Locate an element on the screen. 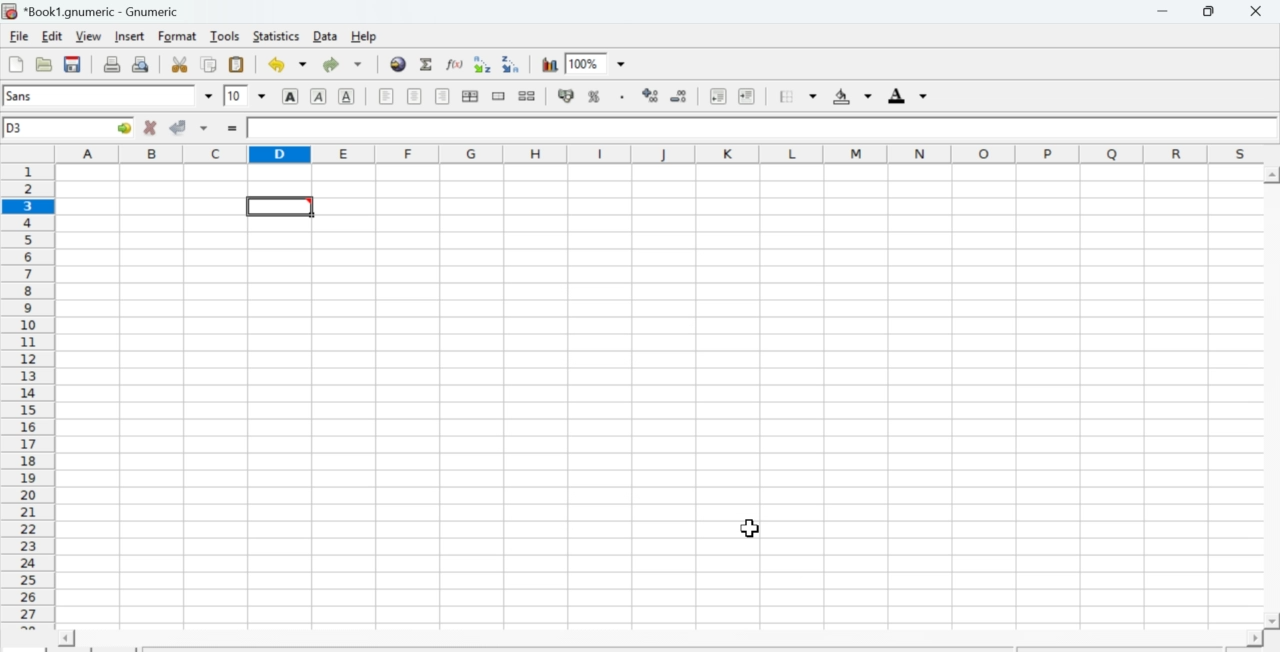  Format selection as percentage is located at coordinates (594, 95).